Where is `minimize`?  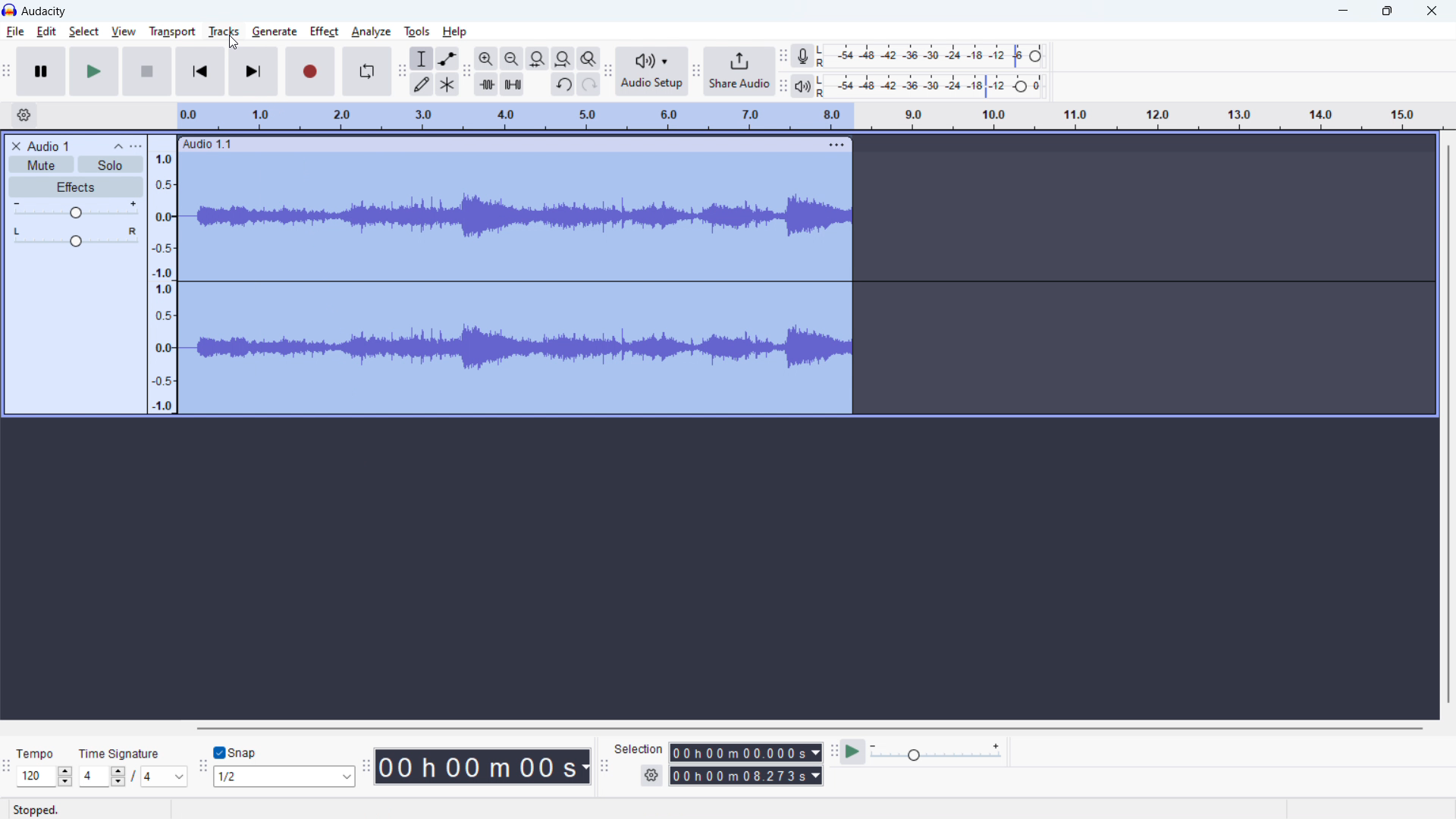 minimize is located at coordinates (1341, 11).